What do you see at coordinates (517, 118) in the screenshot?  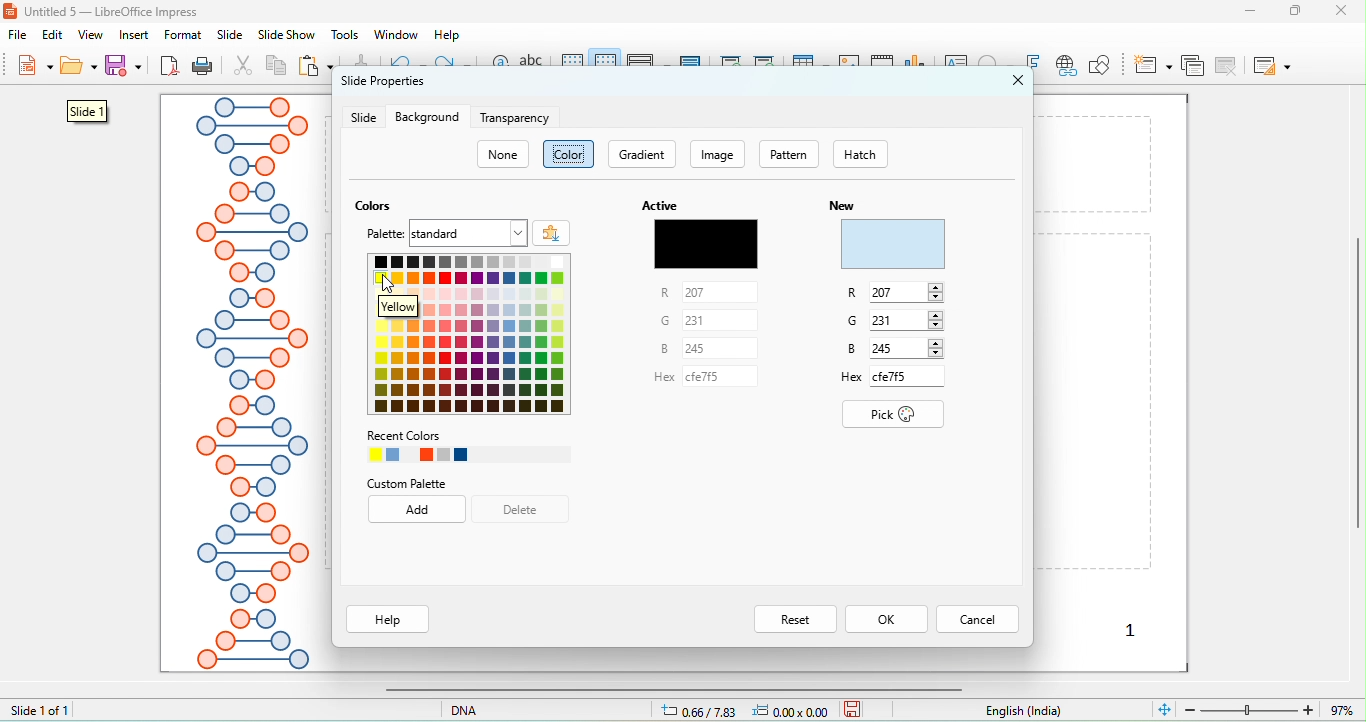 I see `transparency` at bounding box center [517, 118].